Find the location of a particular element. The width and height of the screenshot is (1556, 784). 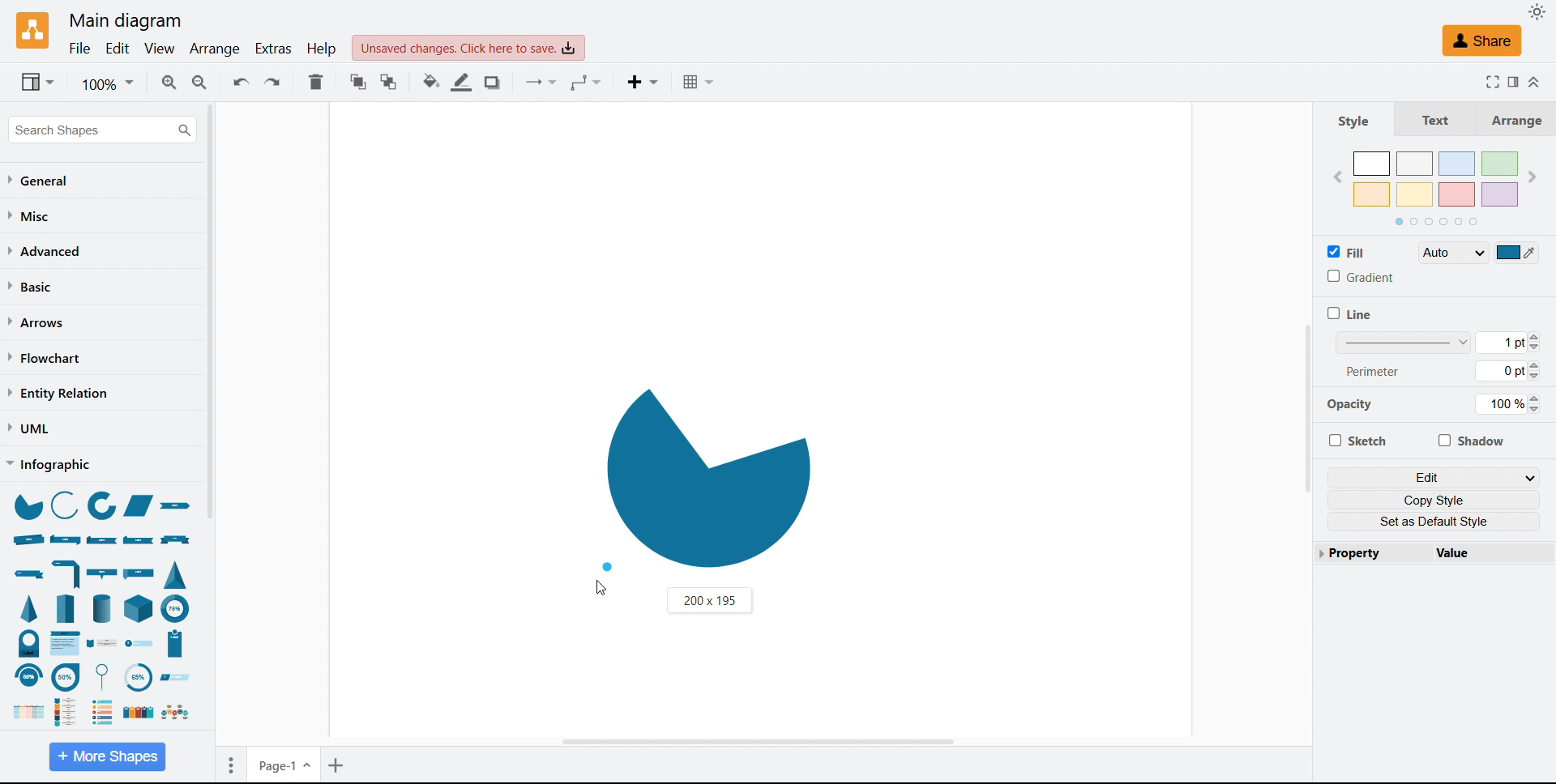

Undo  is located at coordinates (242, 81).